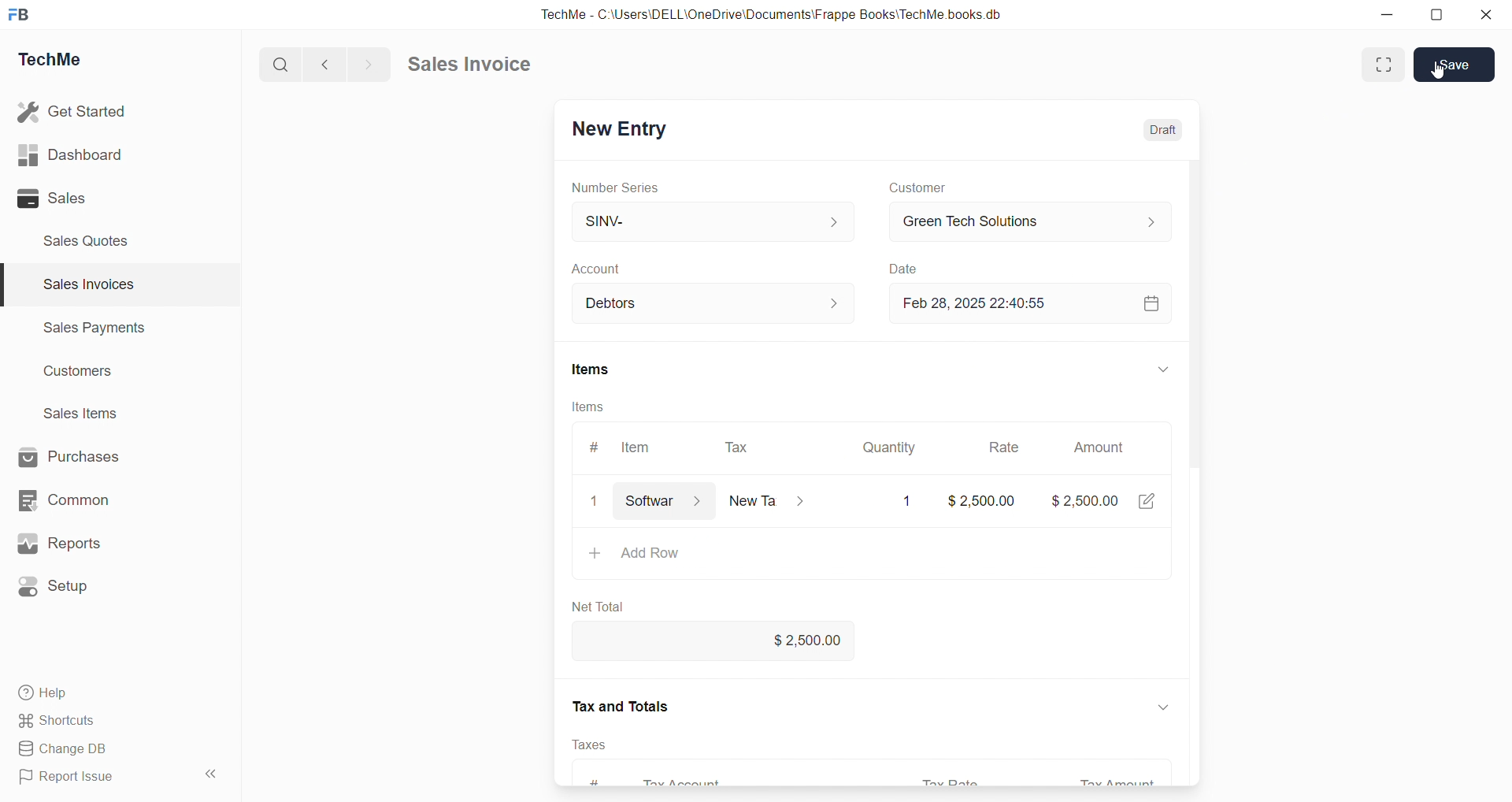 This screenshot has height=802, width=1512. I want to click on calendar, so click(1151, 303).